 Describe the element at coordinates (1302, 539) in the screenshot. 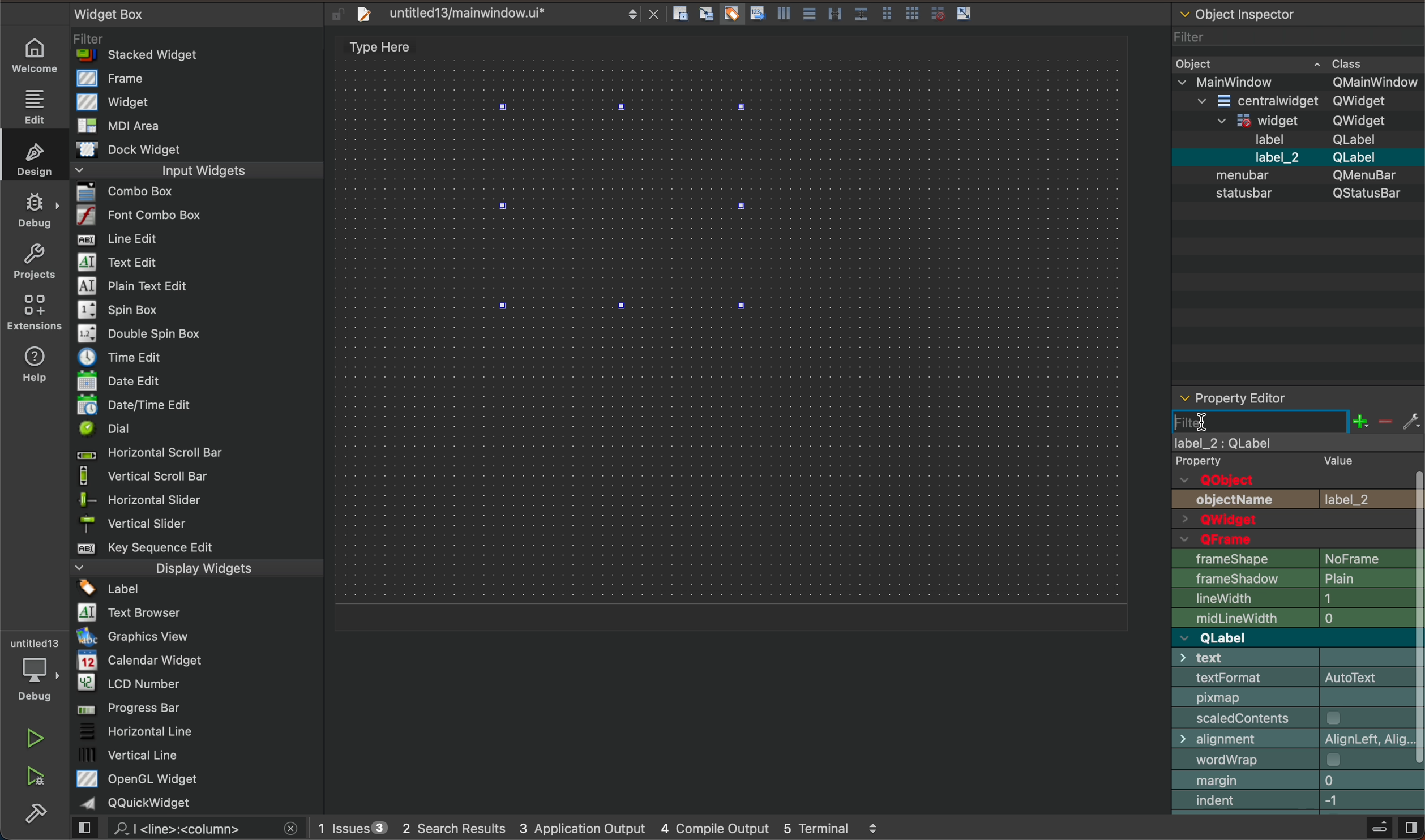

I see `` at that location.